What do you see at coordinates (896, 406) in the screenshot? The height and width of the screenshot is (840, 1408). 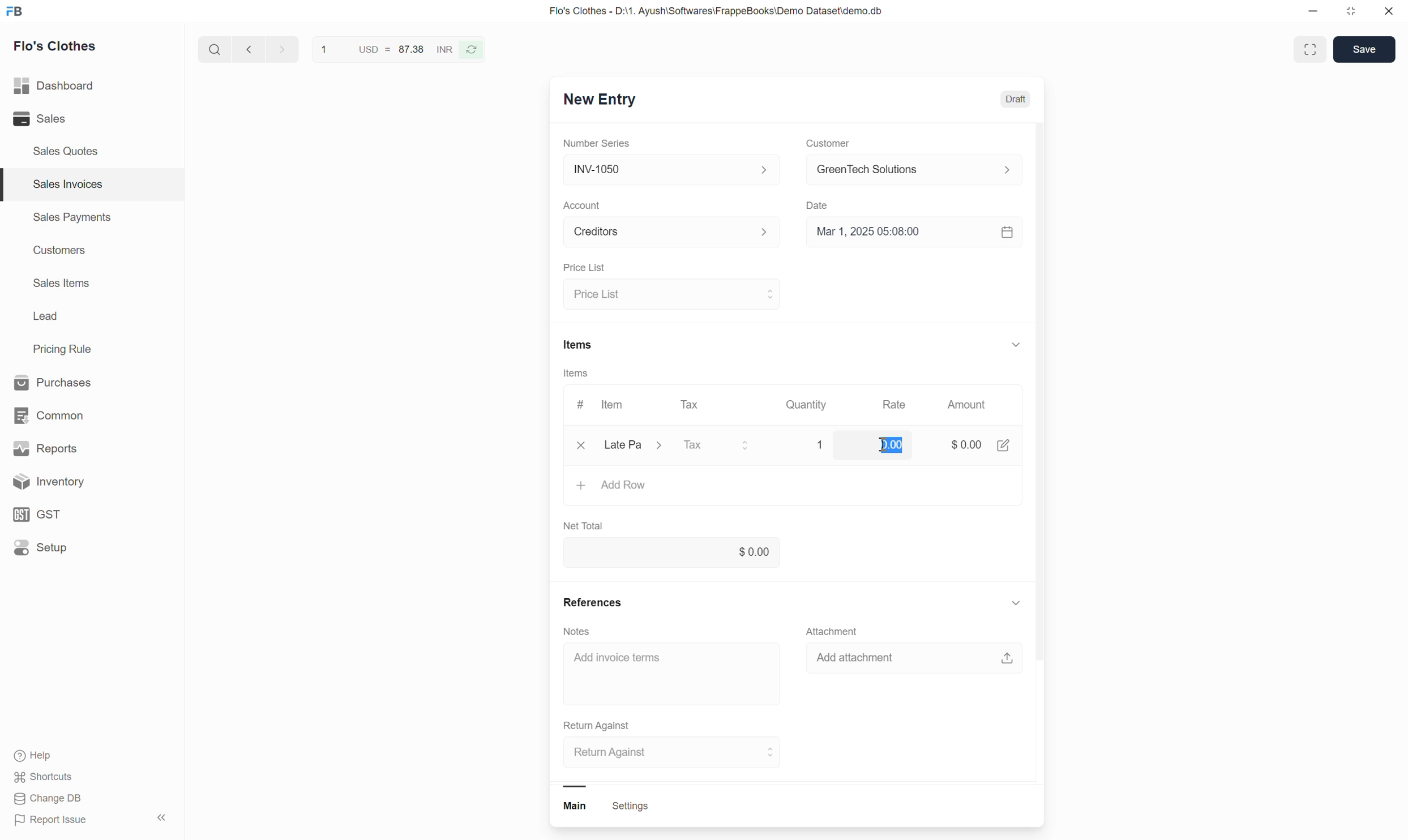 I see `Rate` at bounding box center [896, 406].